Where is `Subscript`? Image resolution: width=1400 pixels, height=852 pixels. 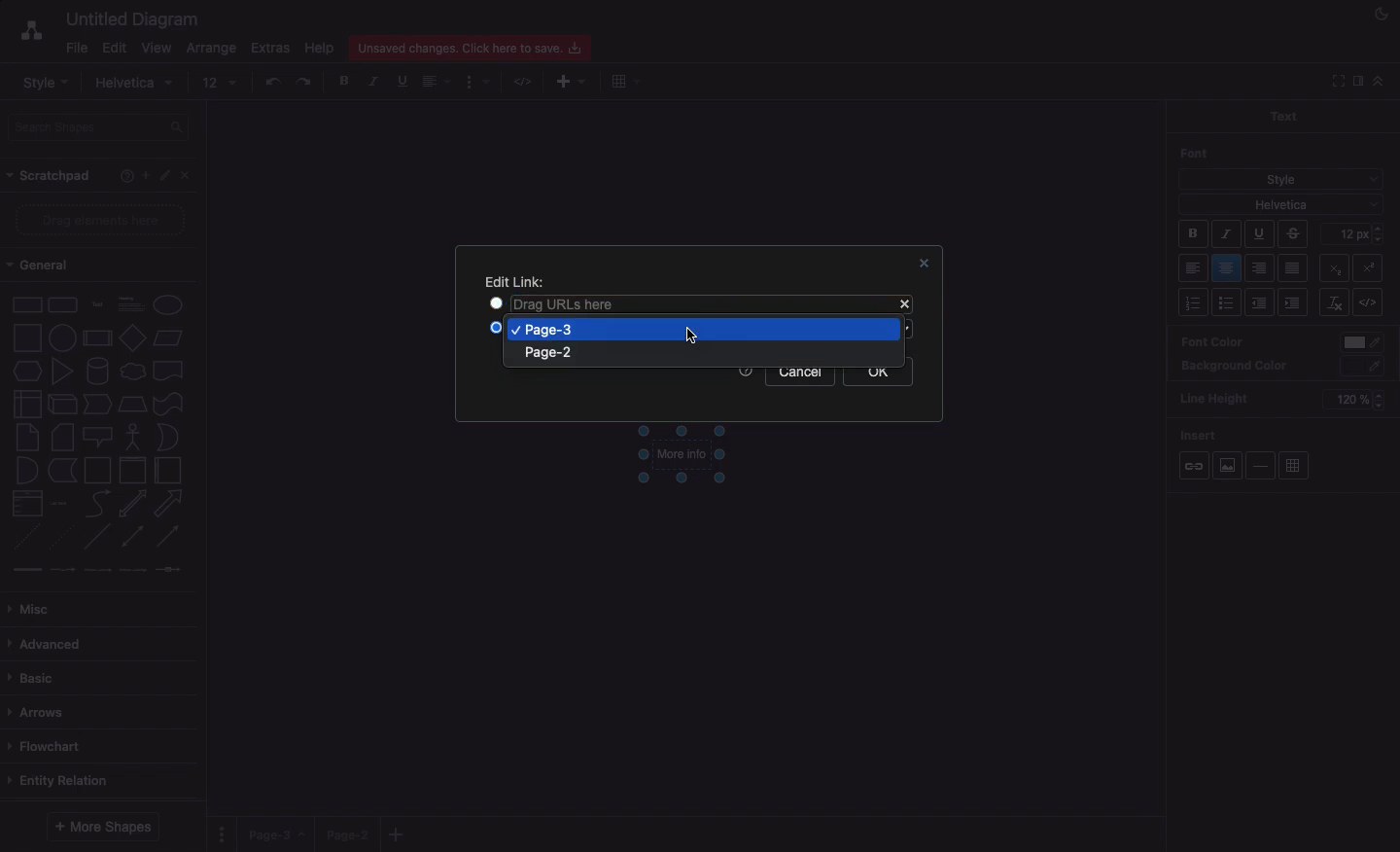
Subscript is located at coordinates (1373, 265).